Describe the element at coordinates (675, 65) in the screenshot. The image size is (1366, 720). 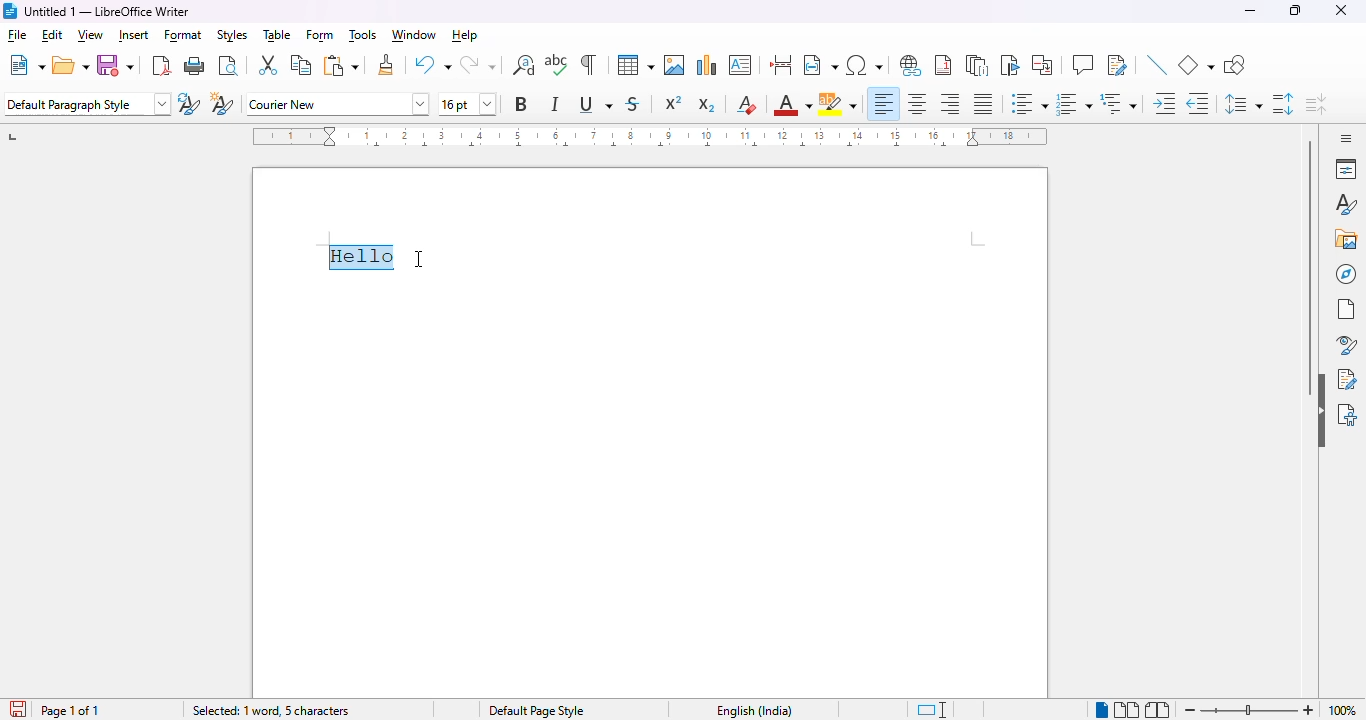
I see `insert image` at that location.